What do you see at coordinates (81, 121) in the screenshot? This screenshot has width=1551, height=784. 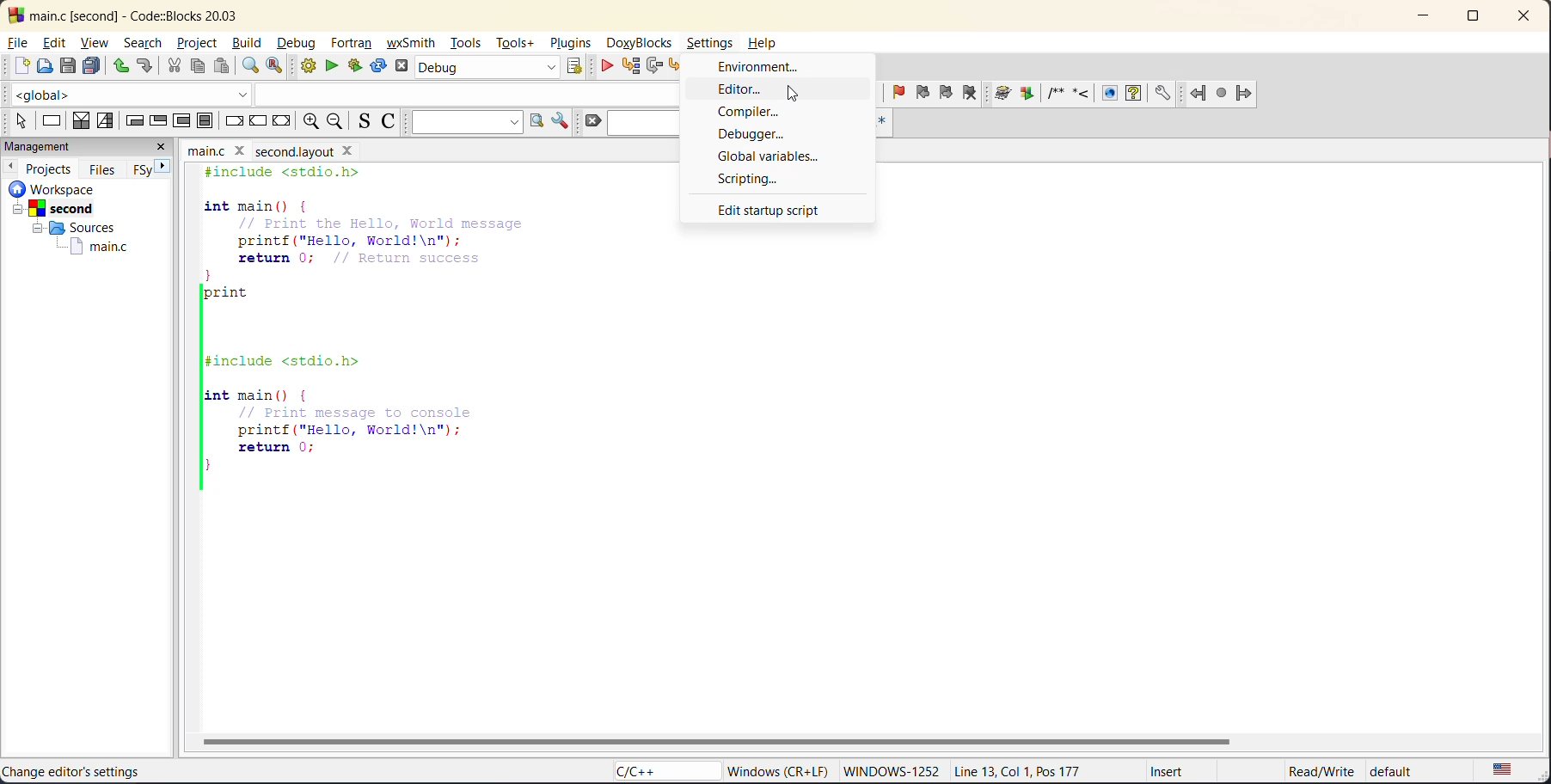 I see `decision` at bounding box center [81, 121].